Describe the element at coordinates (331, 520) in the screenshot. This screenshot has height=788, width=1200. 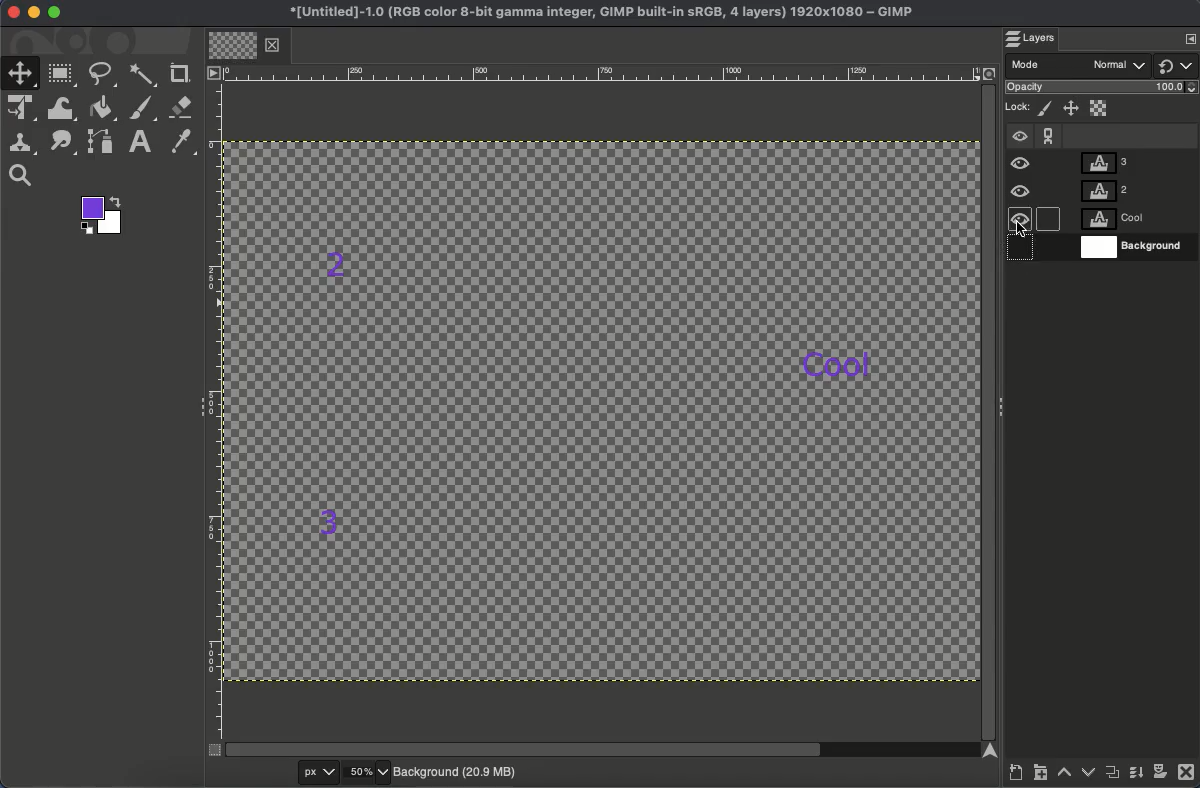
I see `3` at that location.